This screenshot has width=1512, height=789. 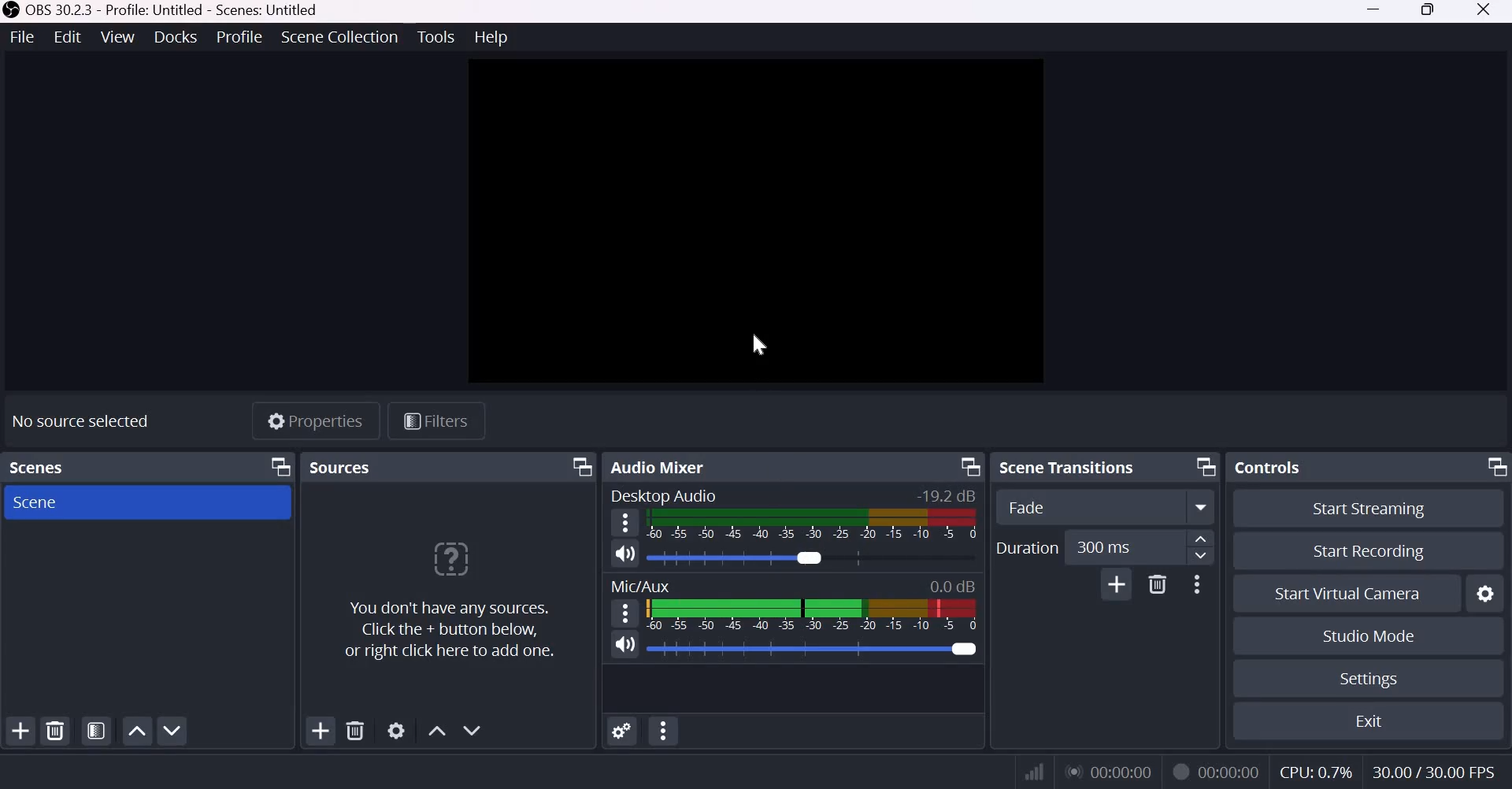 What do you see at coordinates (1195, 585) in the screenshot?
I see `More Options` at bounding box center [1195, 585].